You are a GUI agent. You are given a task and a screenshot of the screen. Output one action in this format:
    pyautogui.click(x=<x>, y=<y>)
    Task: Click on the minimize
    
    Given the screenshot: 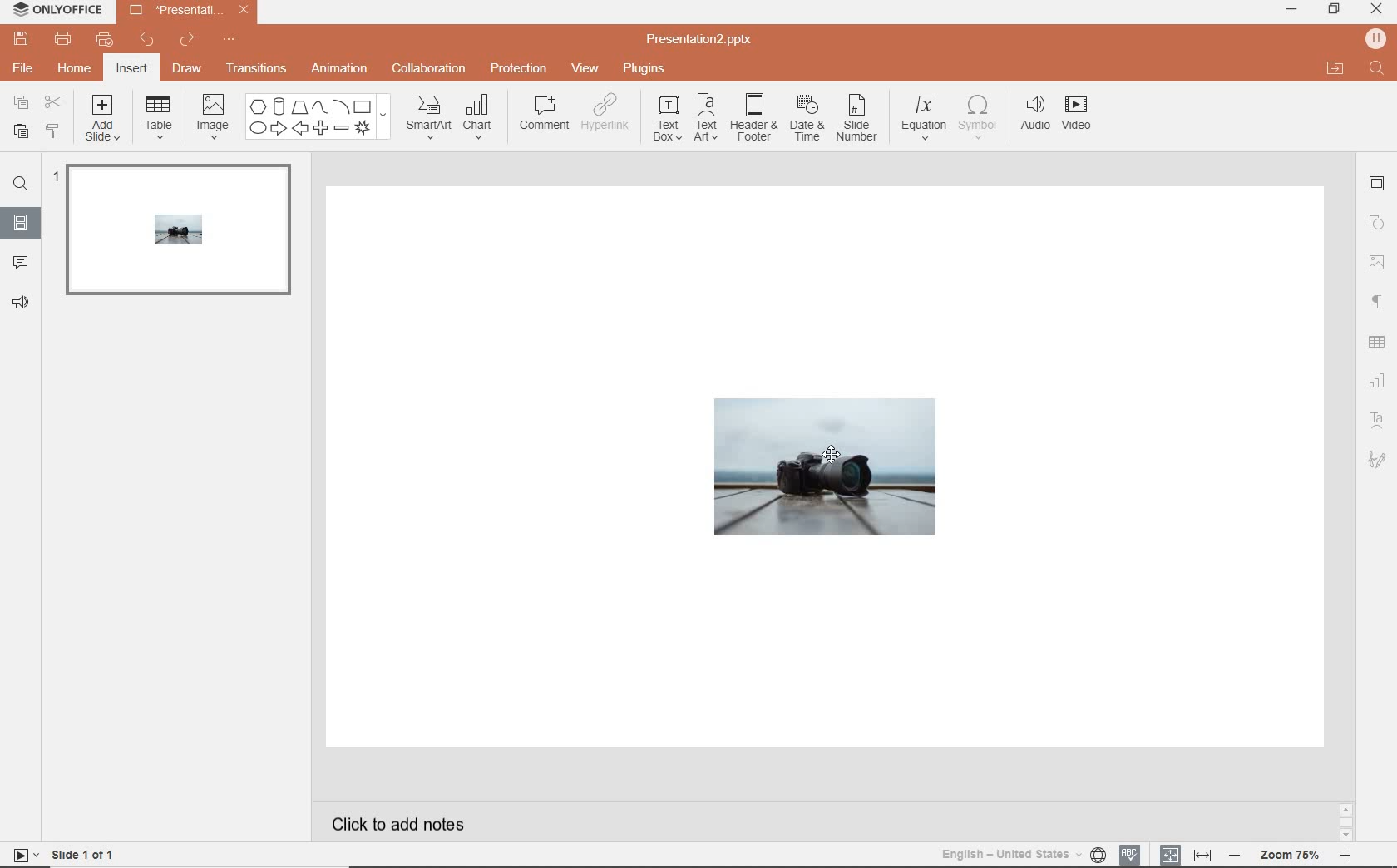 What is the action you would take?
    pyautogui.click(x=1295, y=11)
    